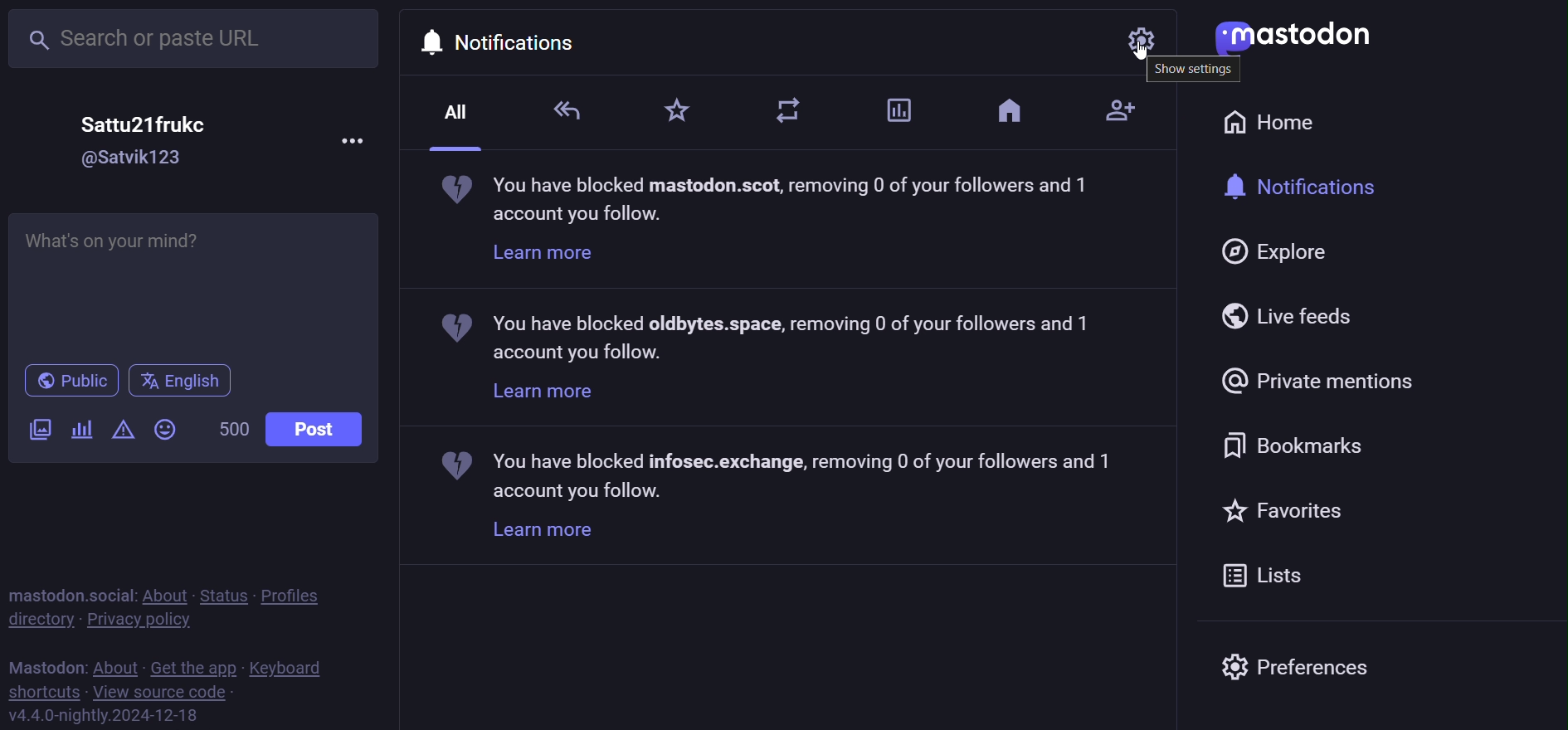  I want to click on post, so click(316, 429).